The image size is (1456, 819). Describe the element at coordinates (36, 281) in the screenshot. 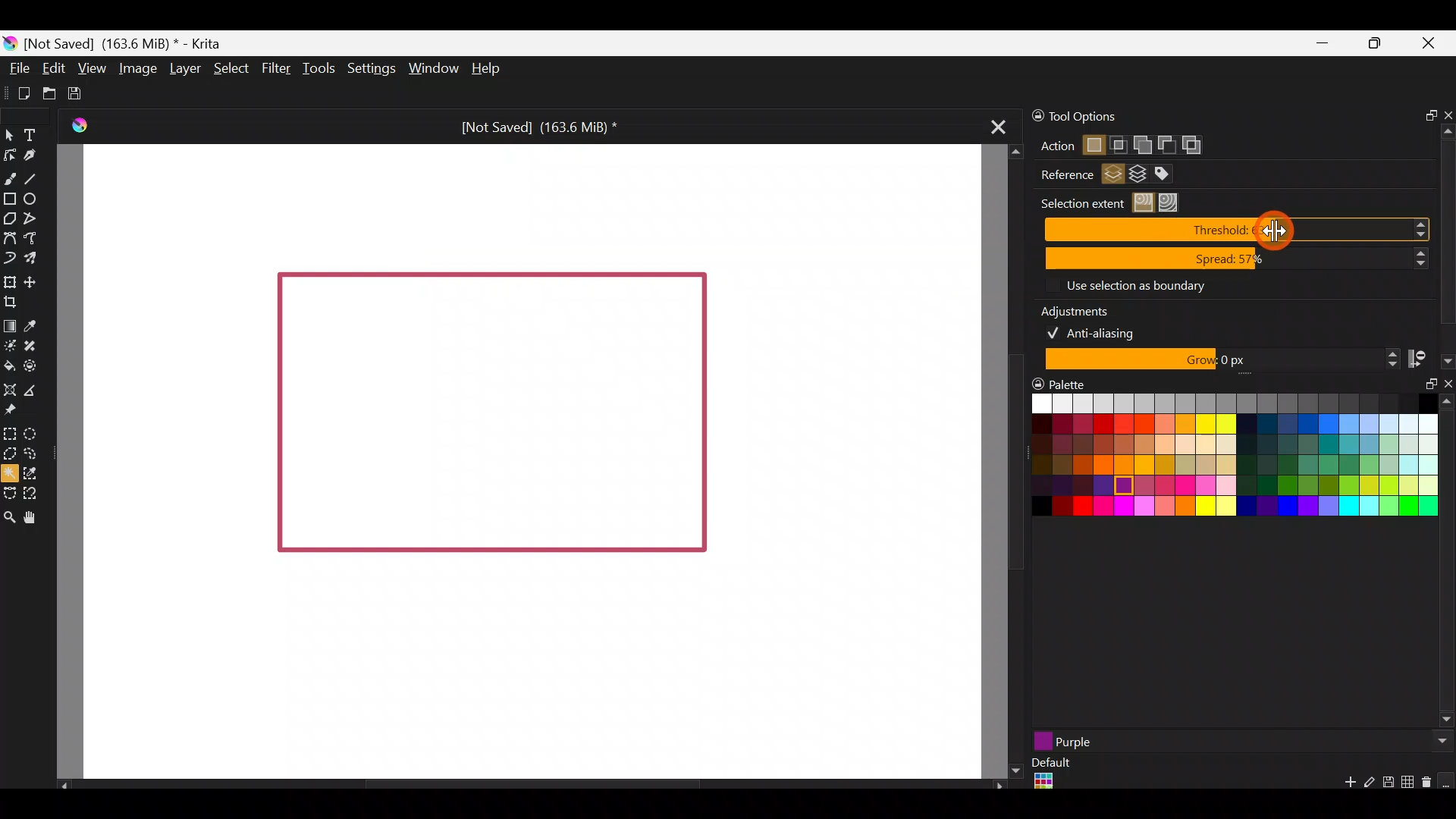

I see `Move a layer` at that location.